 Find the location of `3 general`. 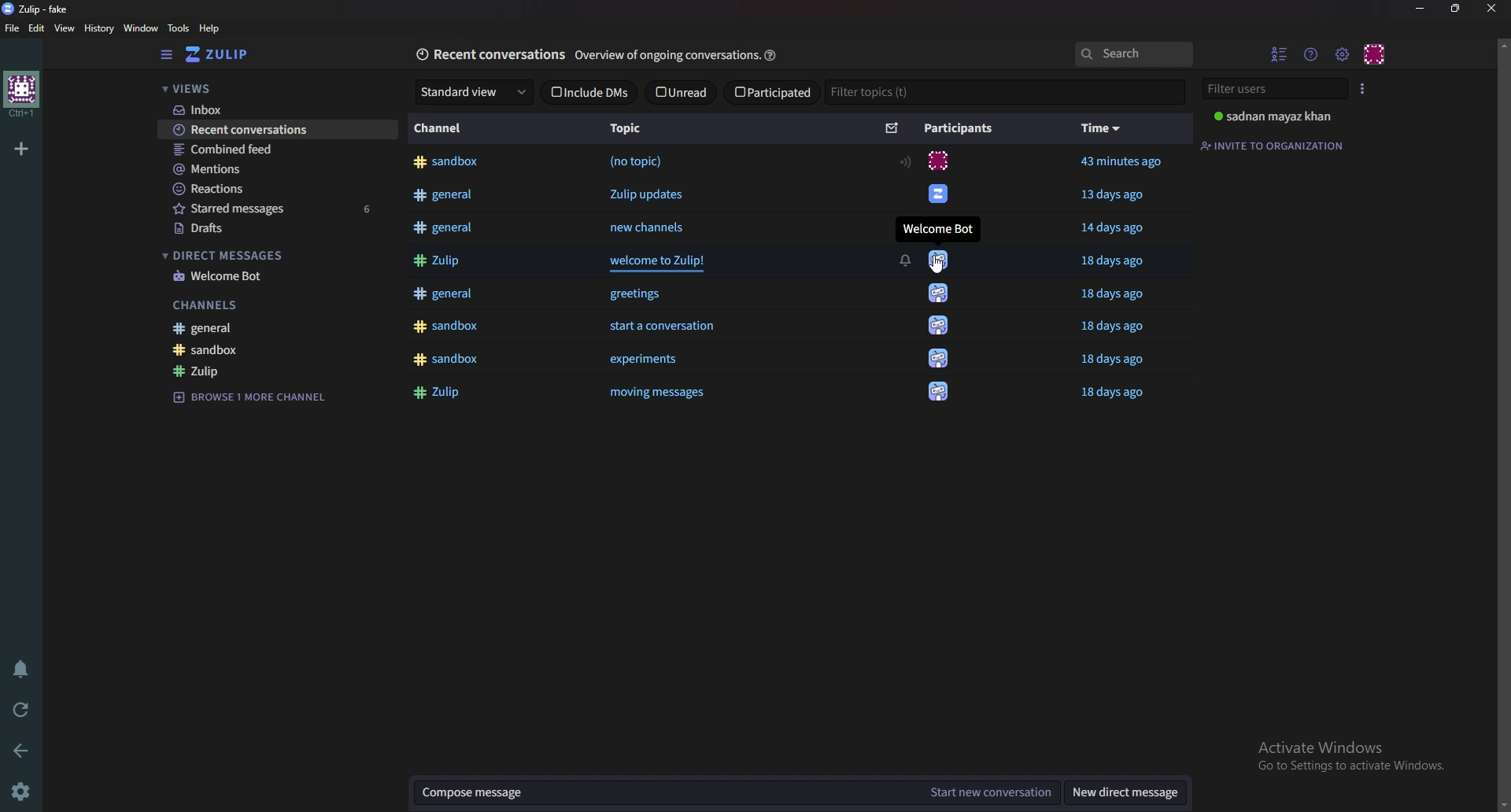

3 general is located at coordinates (445, 293).